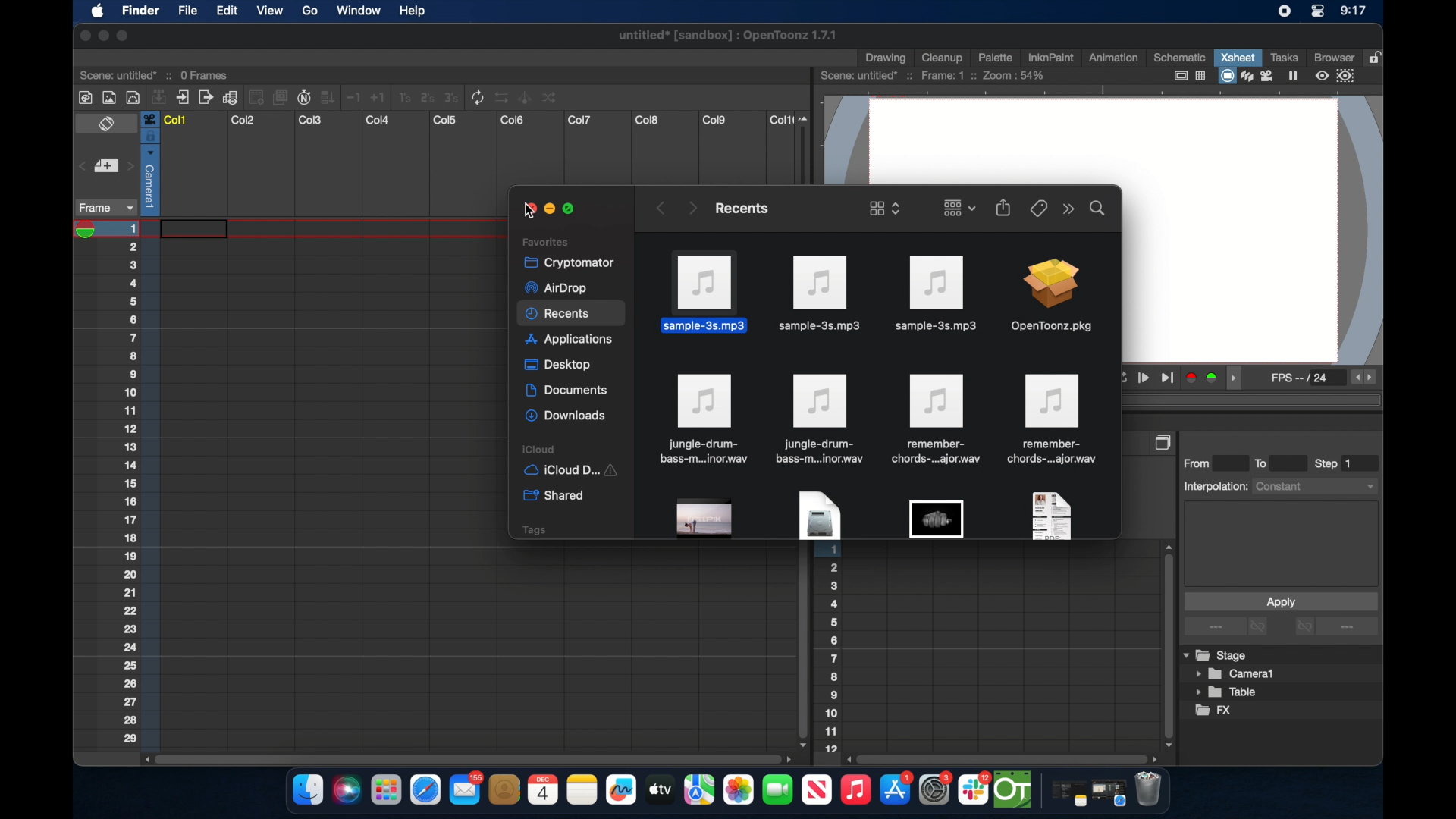 The image size is (1456, 819). Describe the element at coordinates (82, 36) in the screenshot. I see `close` at that location.